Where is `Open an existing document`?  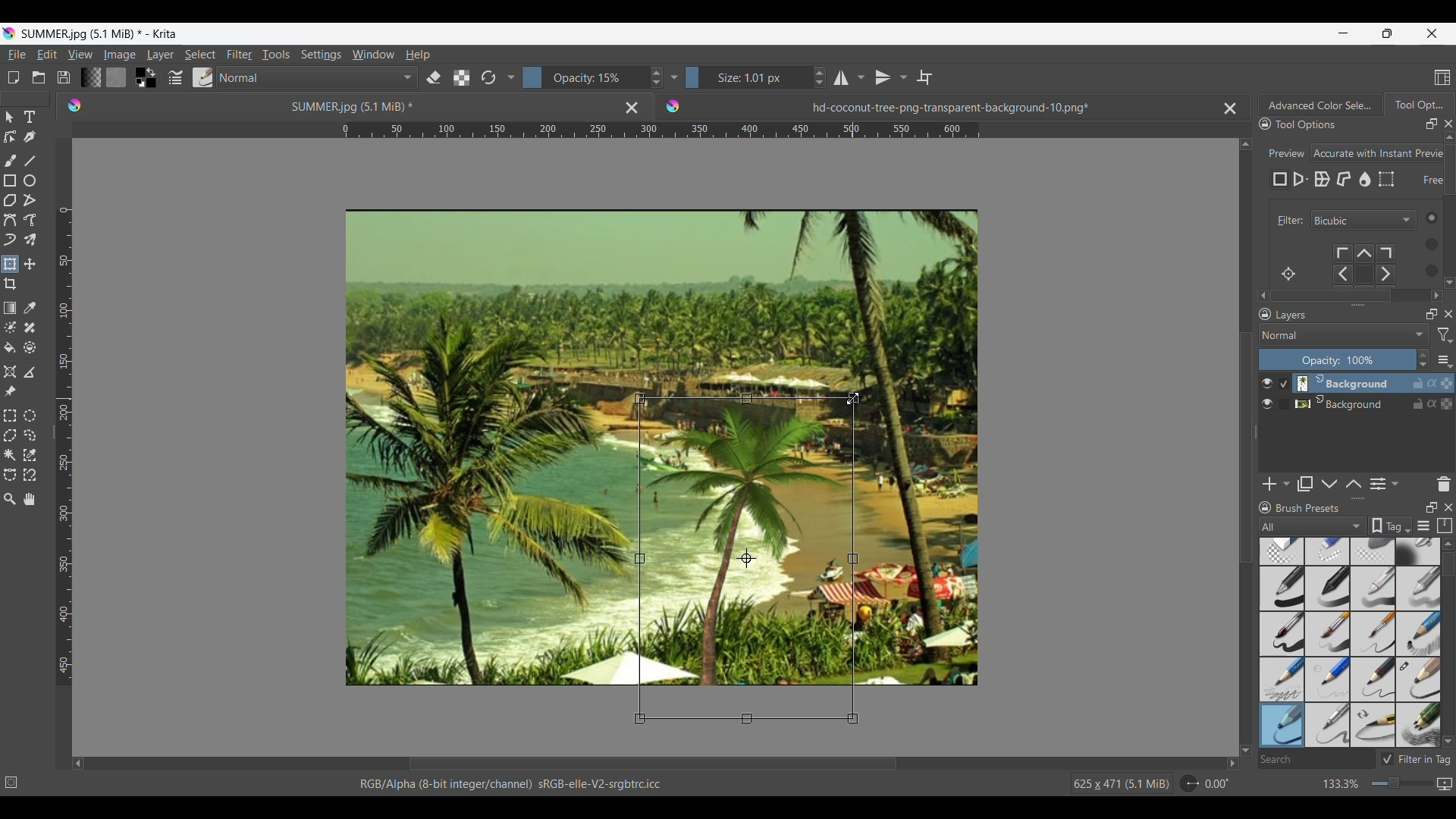
Open an existing document is located at coordinates (38, 77).